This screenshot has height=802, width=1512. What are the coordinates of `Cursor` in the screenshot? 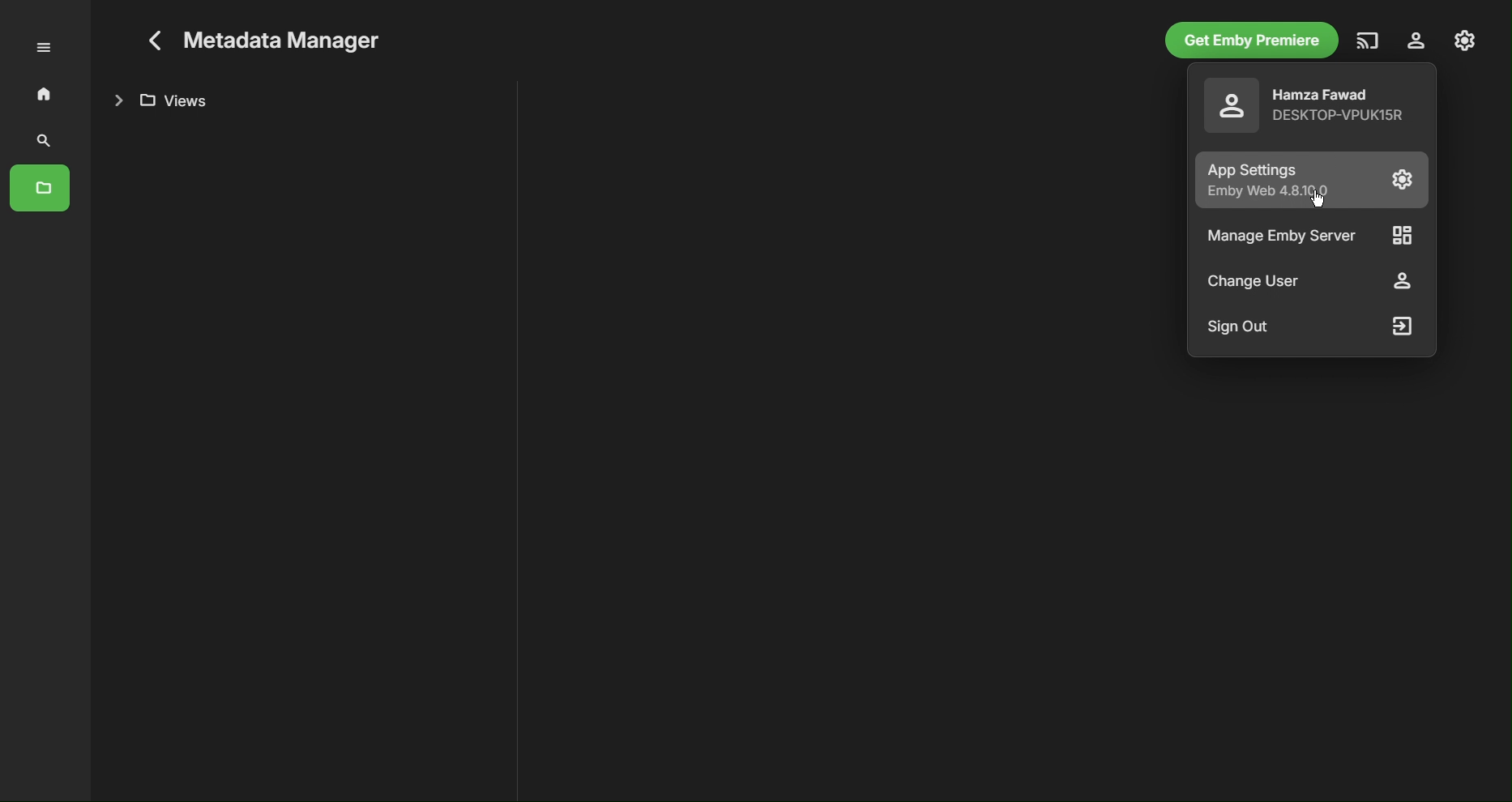 It's located at (1319, 198).